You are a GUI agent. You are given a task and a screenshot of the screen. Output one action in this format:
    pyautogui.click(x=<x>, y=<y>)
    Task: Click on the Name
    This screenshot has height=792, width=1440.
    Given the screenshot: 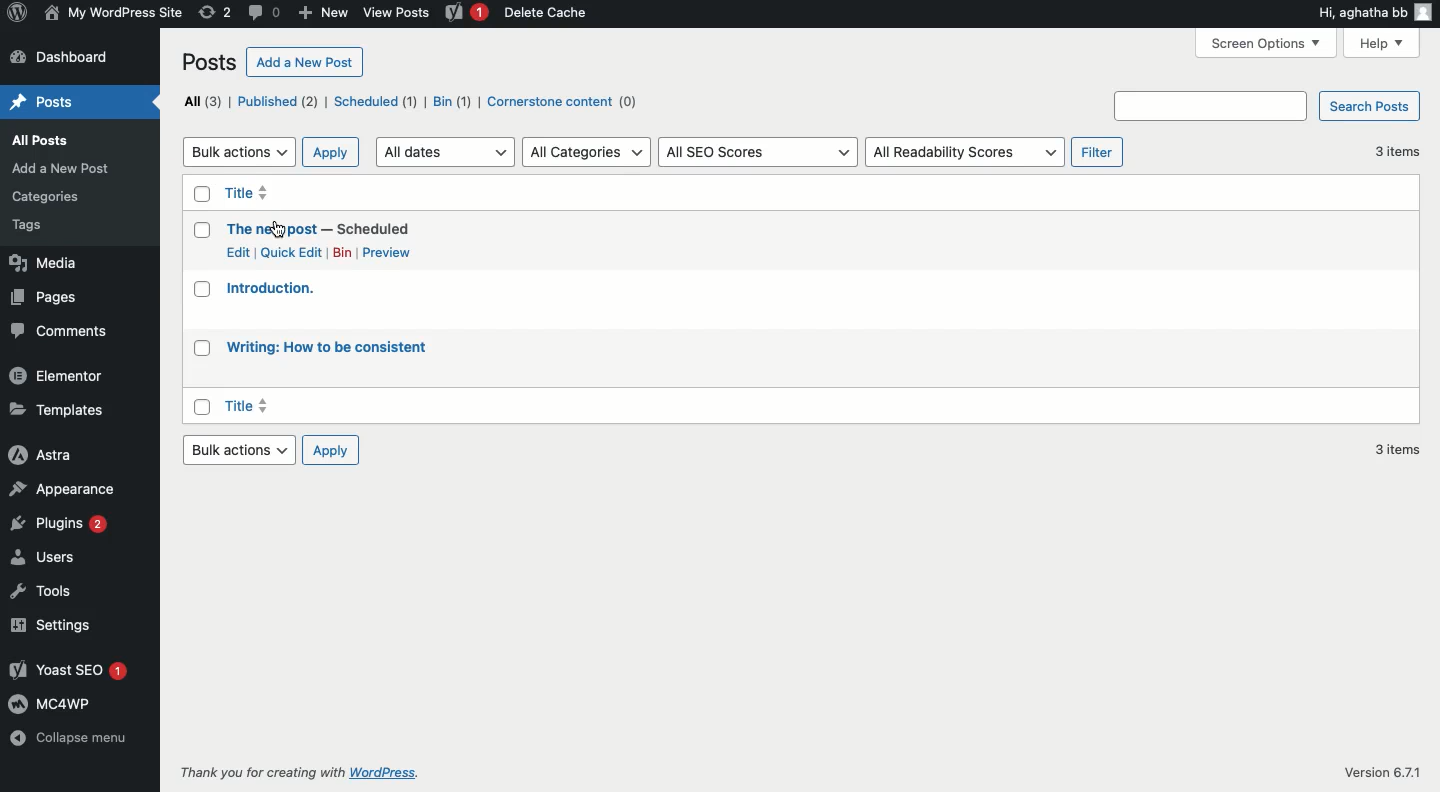 What is the action you would take?
    pyautogui.click(x=116, y=14)
    